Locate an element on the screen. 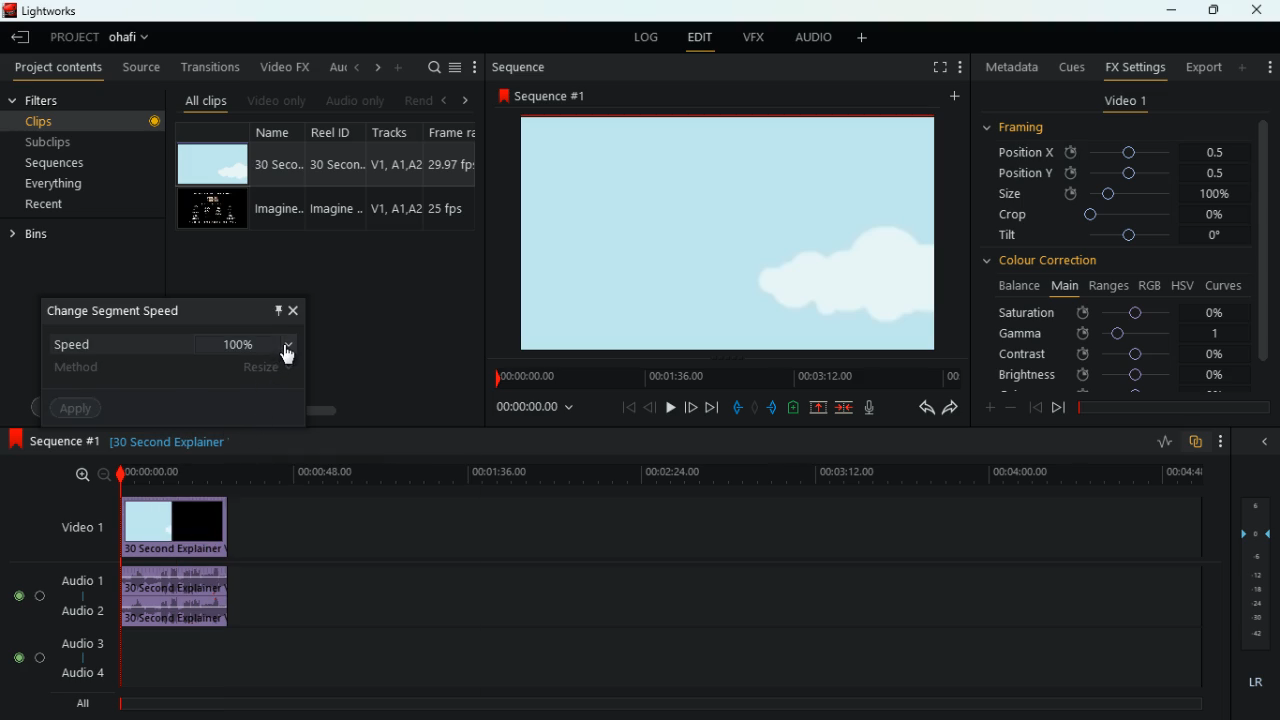  layers is located at coordinates (1253, 570).